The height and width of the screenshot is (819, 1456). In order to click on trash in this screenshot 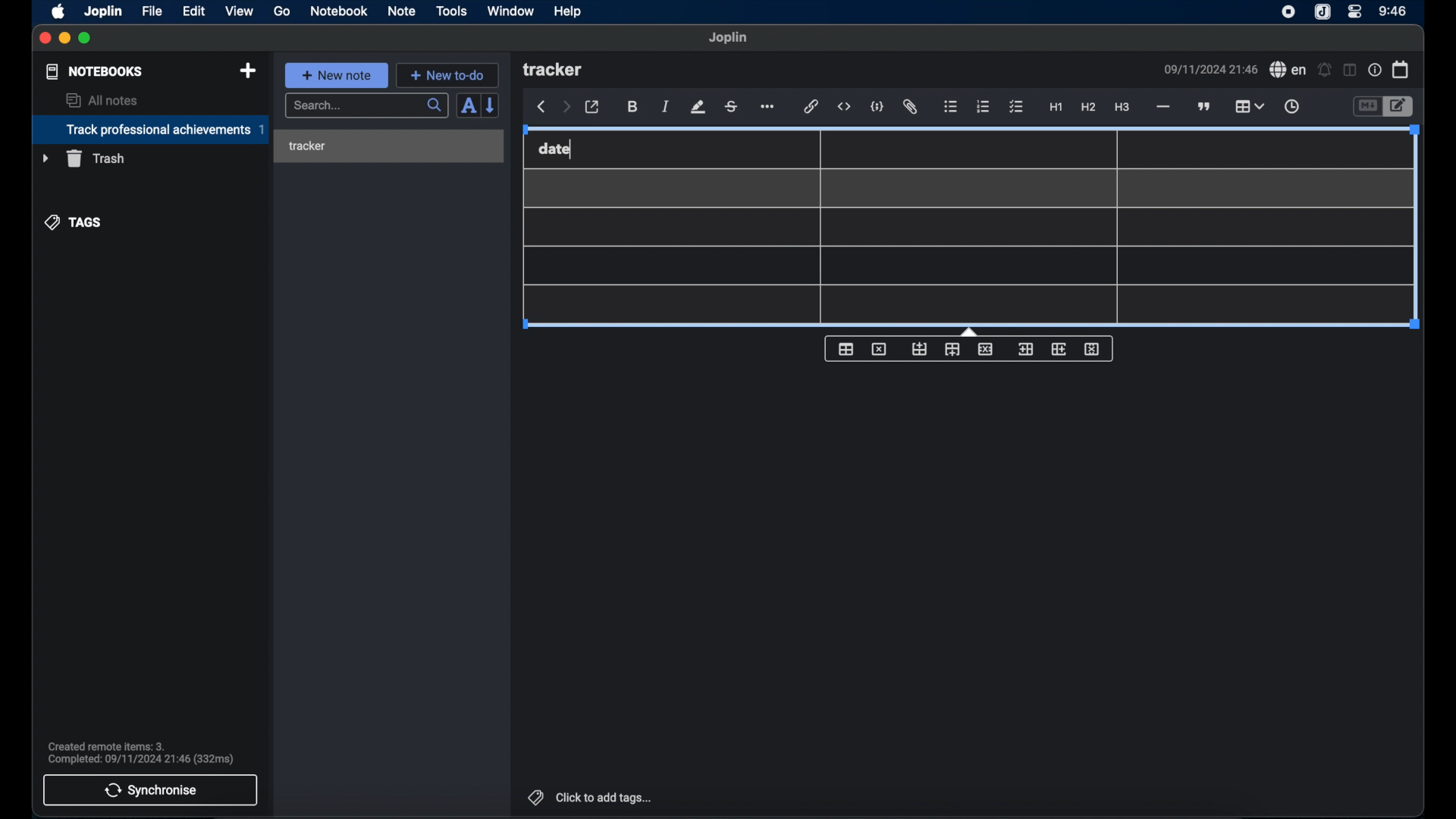, I will do `click(83, 158)`.